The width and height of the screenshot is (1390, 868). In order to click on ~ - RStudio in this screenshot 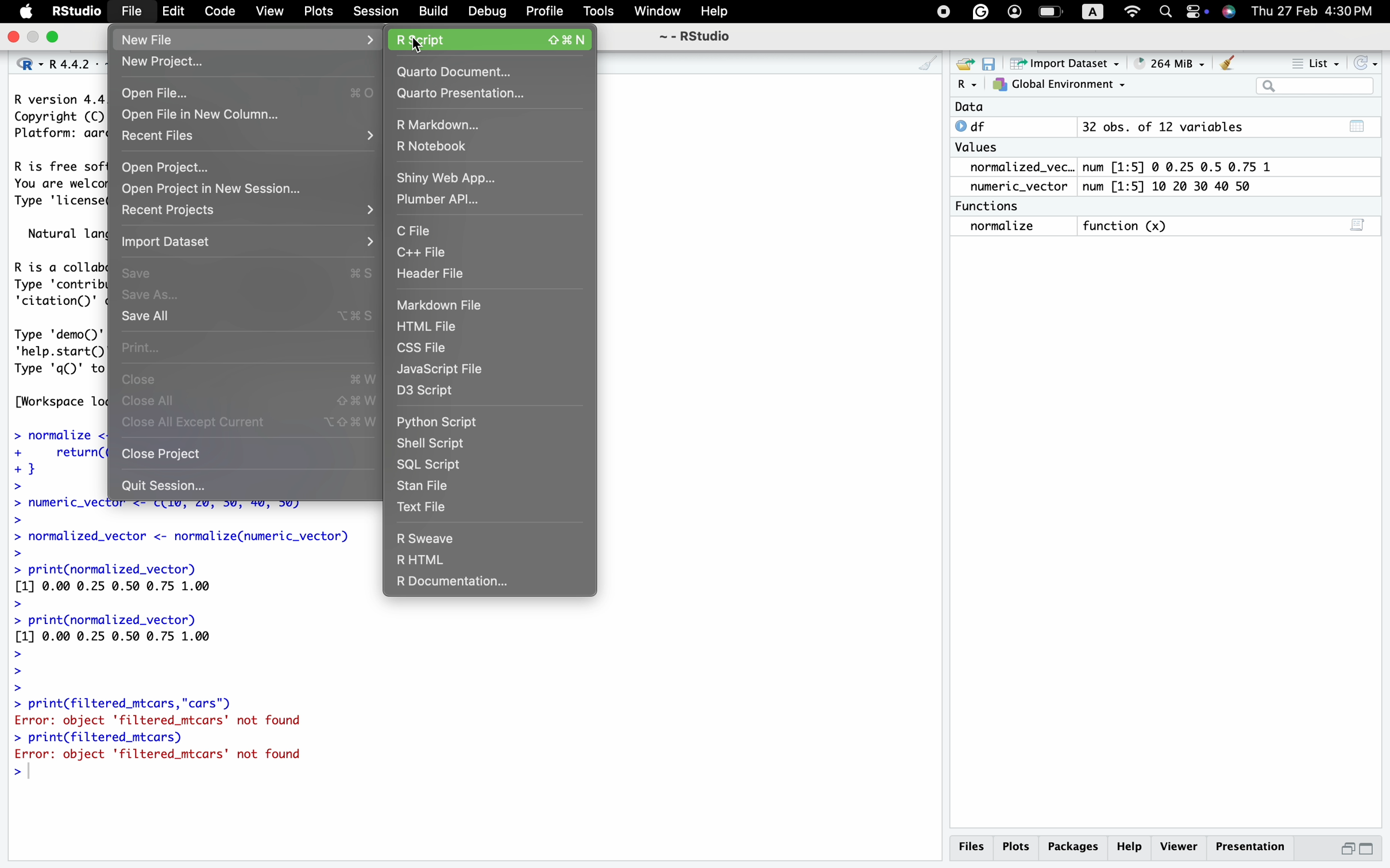, I will do `click(701, 36)`.